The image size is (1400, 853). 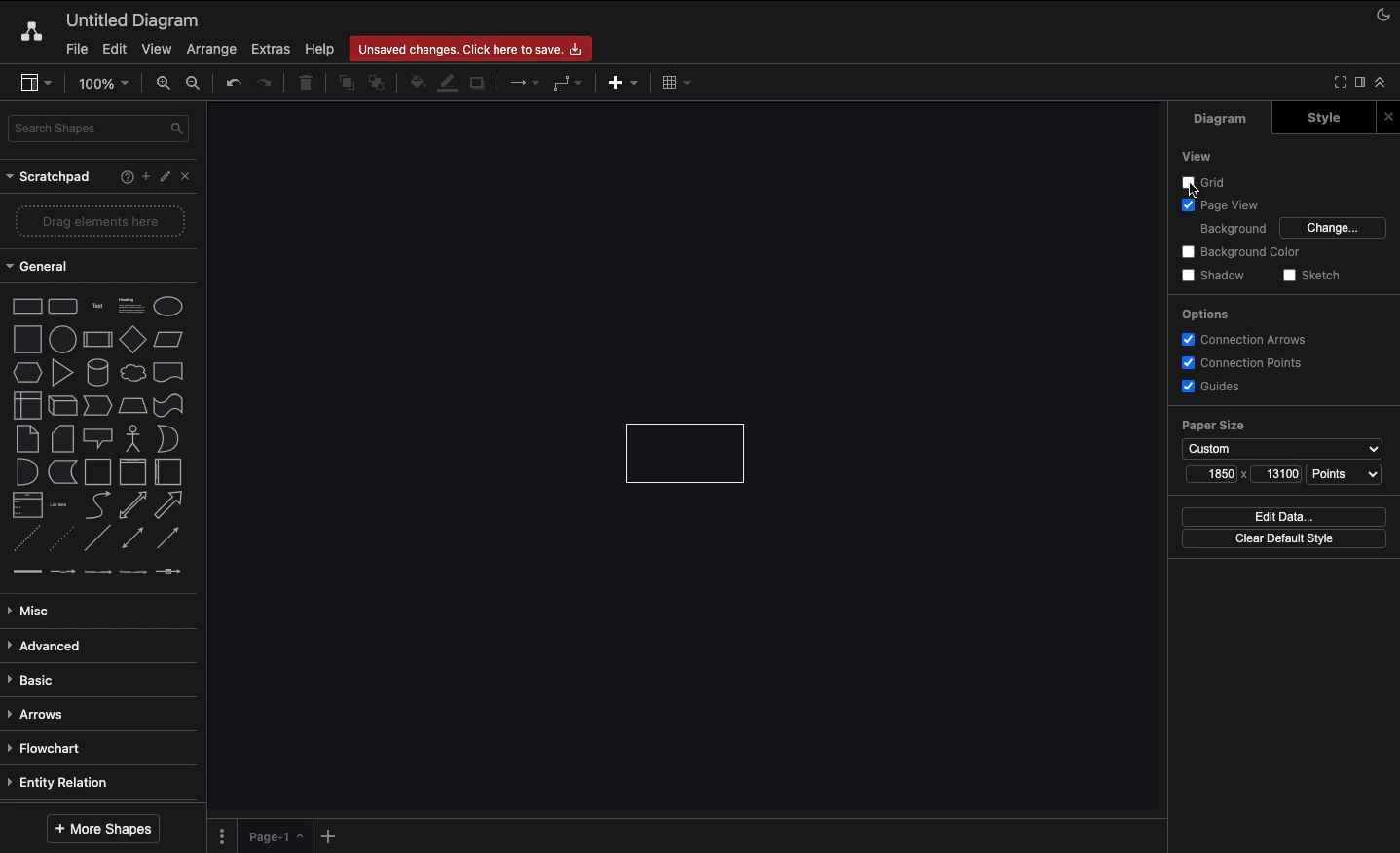 I want to click on Connection arrows, so click(x=1247, y=340).